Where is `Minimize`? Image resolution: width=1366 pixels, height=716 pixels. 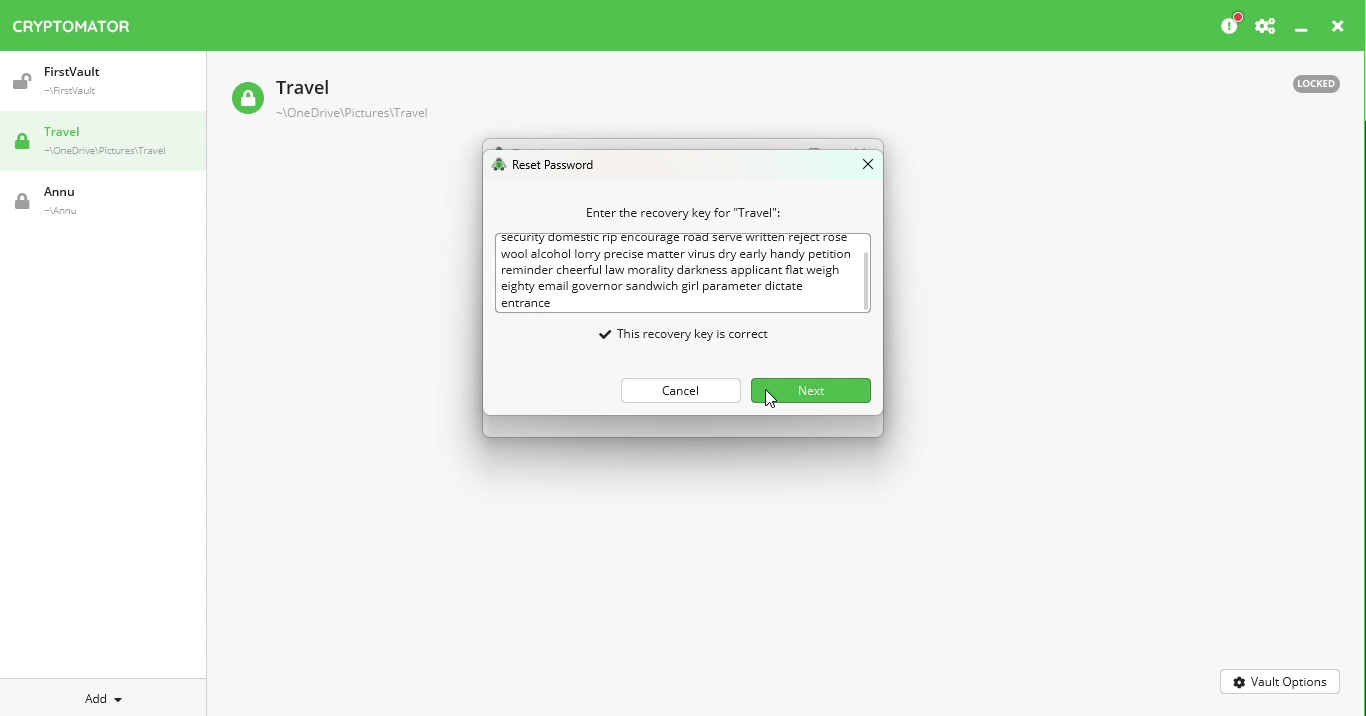 Minimize is located at coordinates (1302, 31).